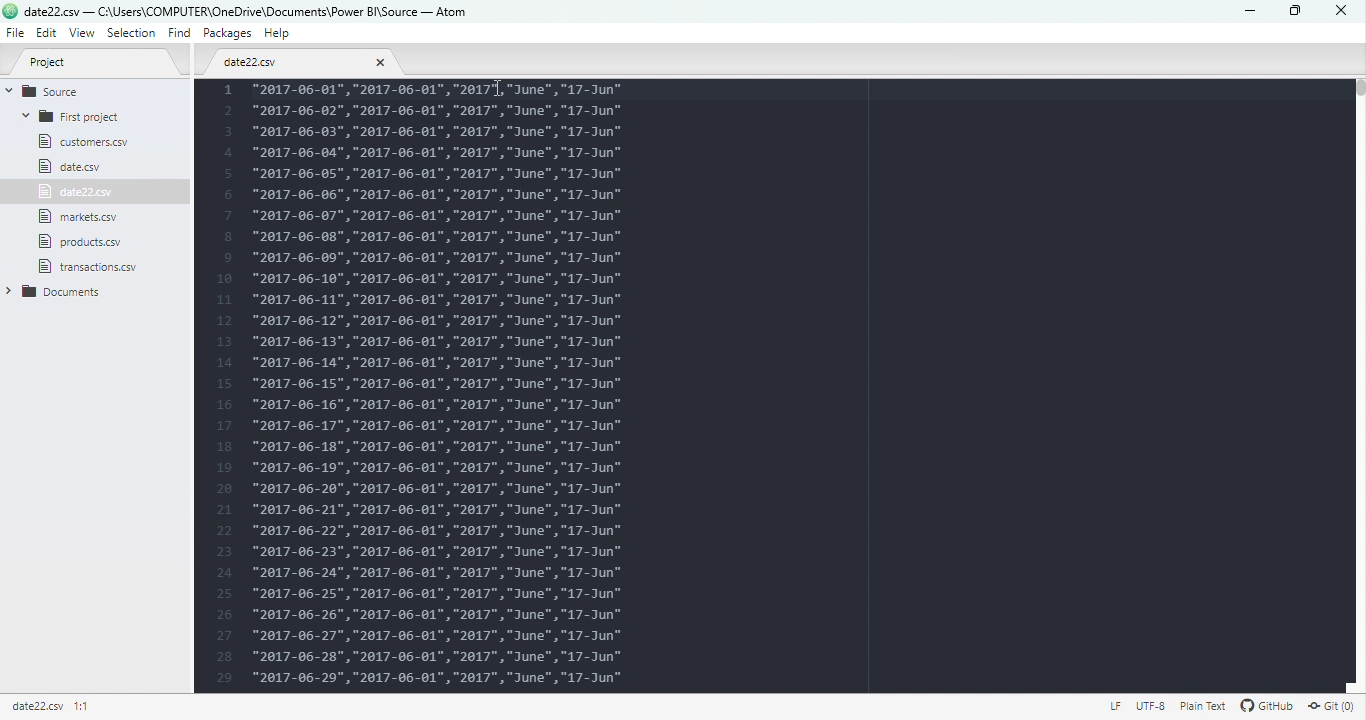 The height and width of the screenshot is (720, 1366). I want to click on file, so click(84, 240).